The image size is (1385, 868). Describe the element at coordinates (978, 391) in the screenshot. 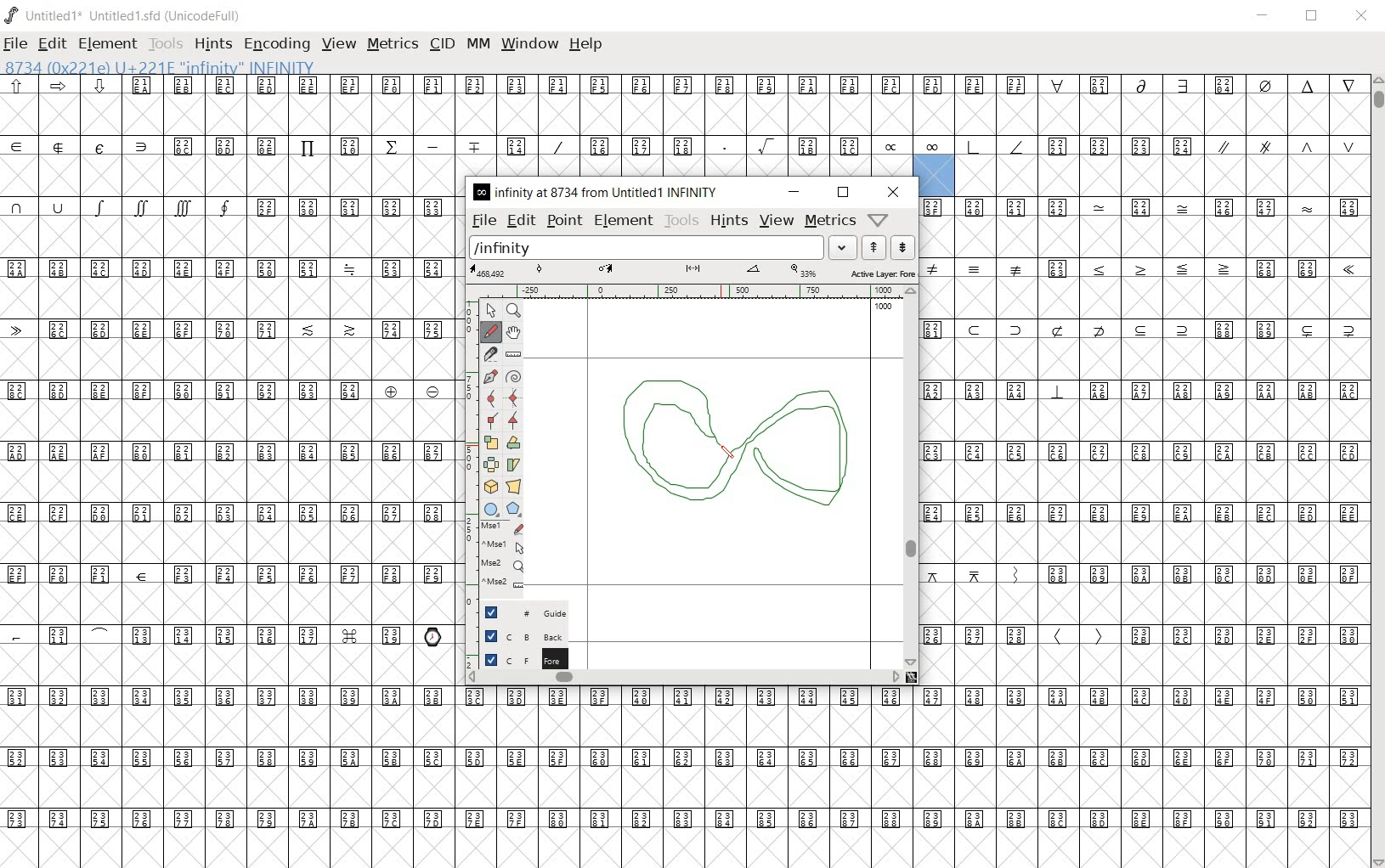

I see `Unicode code points` at that location.